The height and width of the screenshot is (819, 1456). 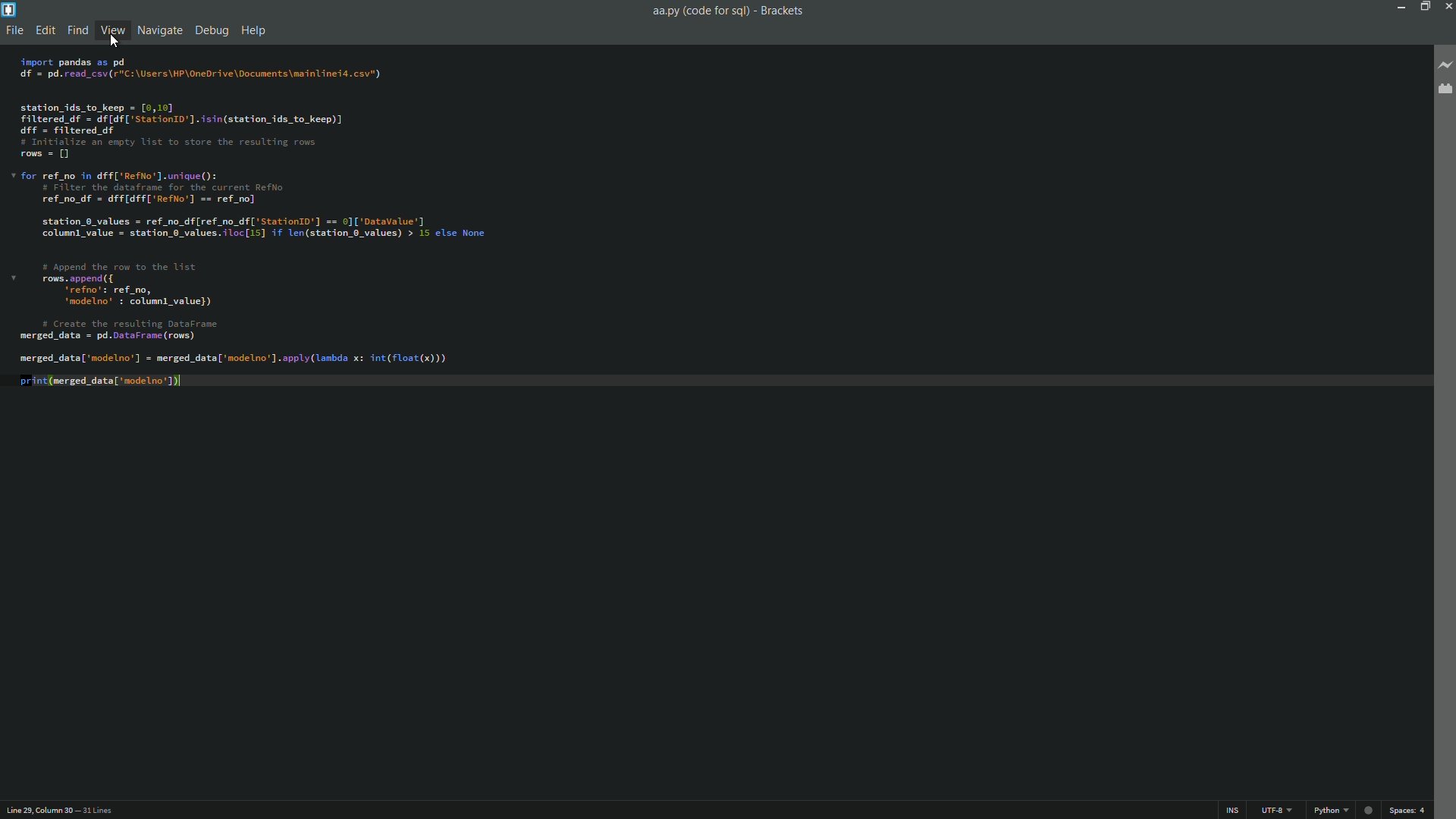 I want to click on space, so click(x=1407, y=811).